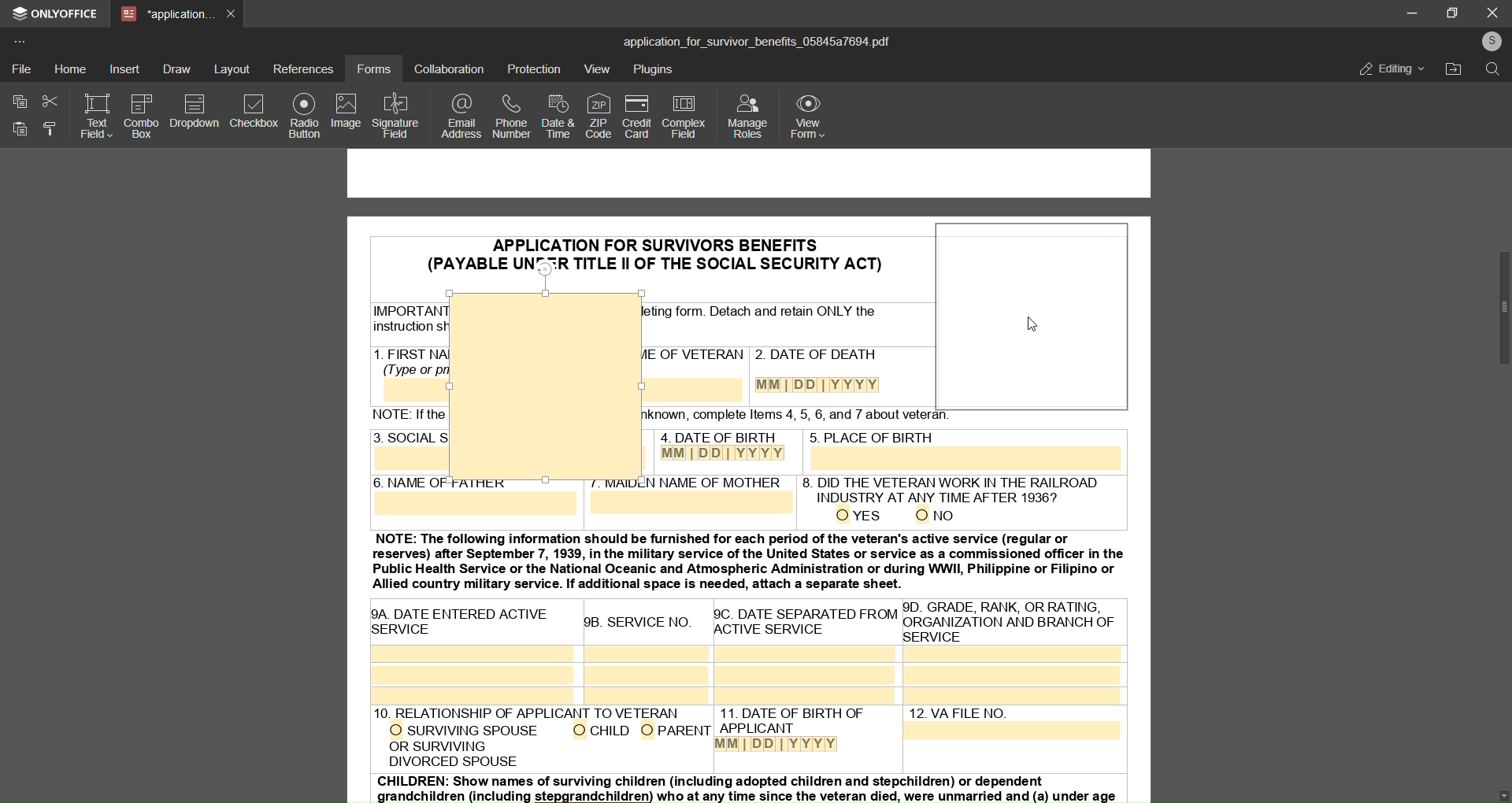 The width and height of the screenshot is (1512, 803). Describe the element at coordinates (232, 13) in the screenshot. I see `close tab` at that location.